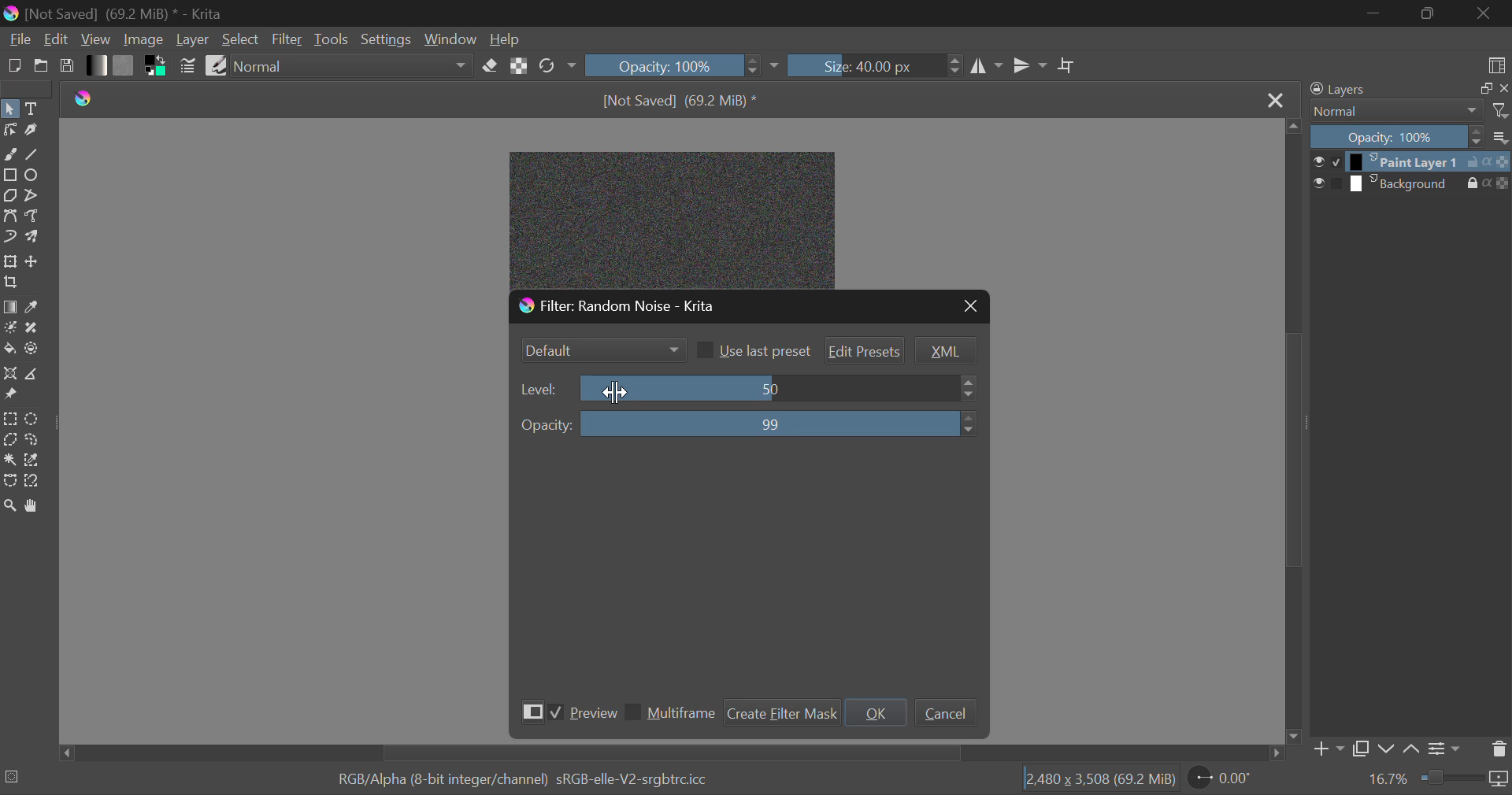  Describe the element at coordinates (31, 131) in the screenshot. I see `Calligraphic Tool` at that location.